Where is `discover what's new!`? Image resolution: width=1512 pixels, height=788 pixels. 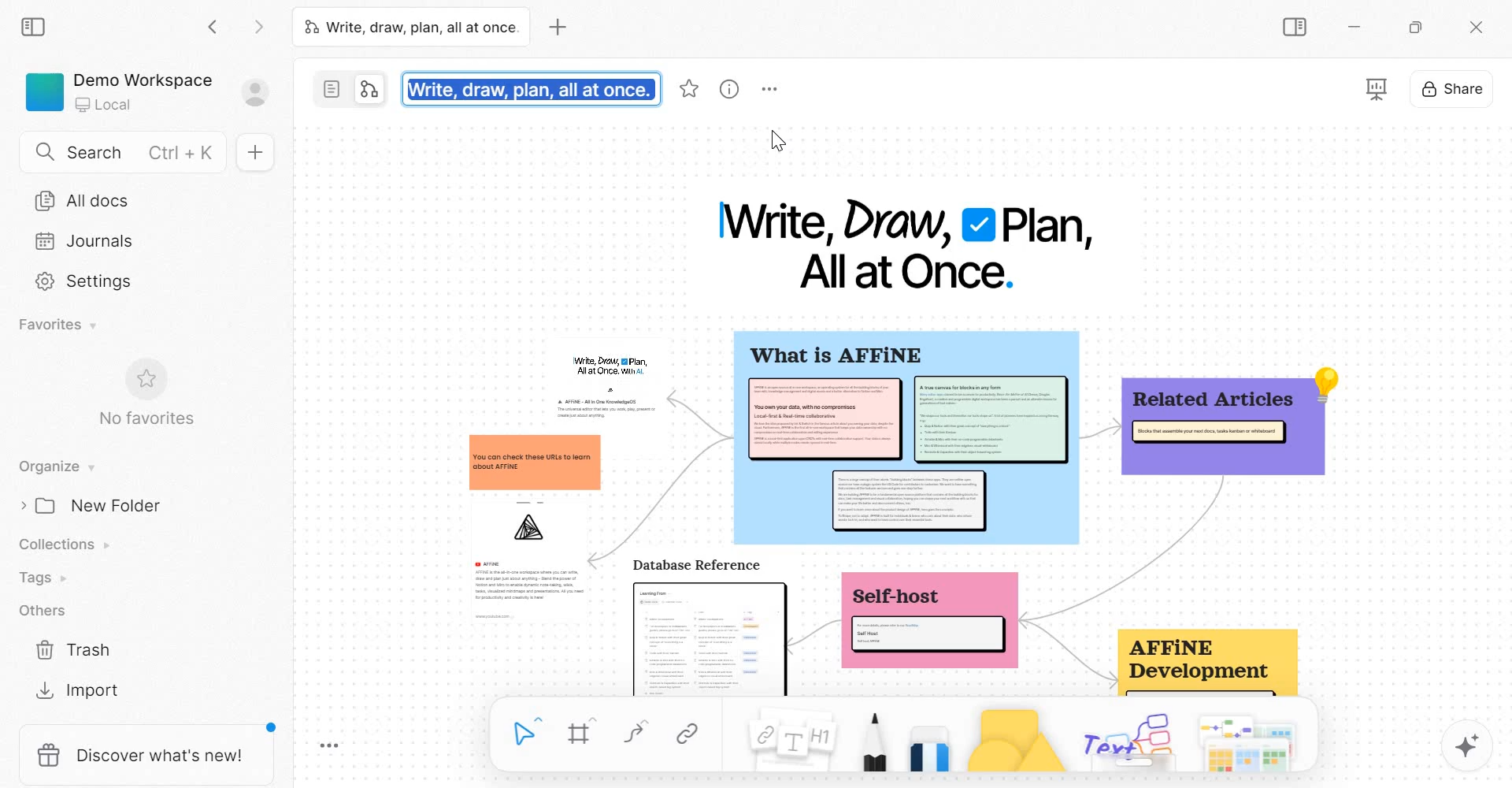 discover what's new! is located at coordinates (145, 755).